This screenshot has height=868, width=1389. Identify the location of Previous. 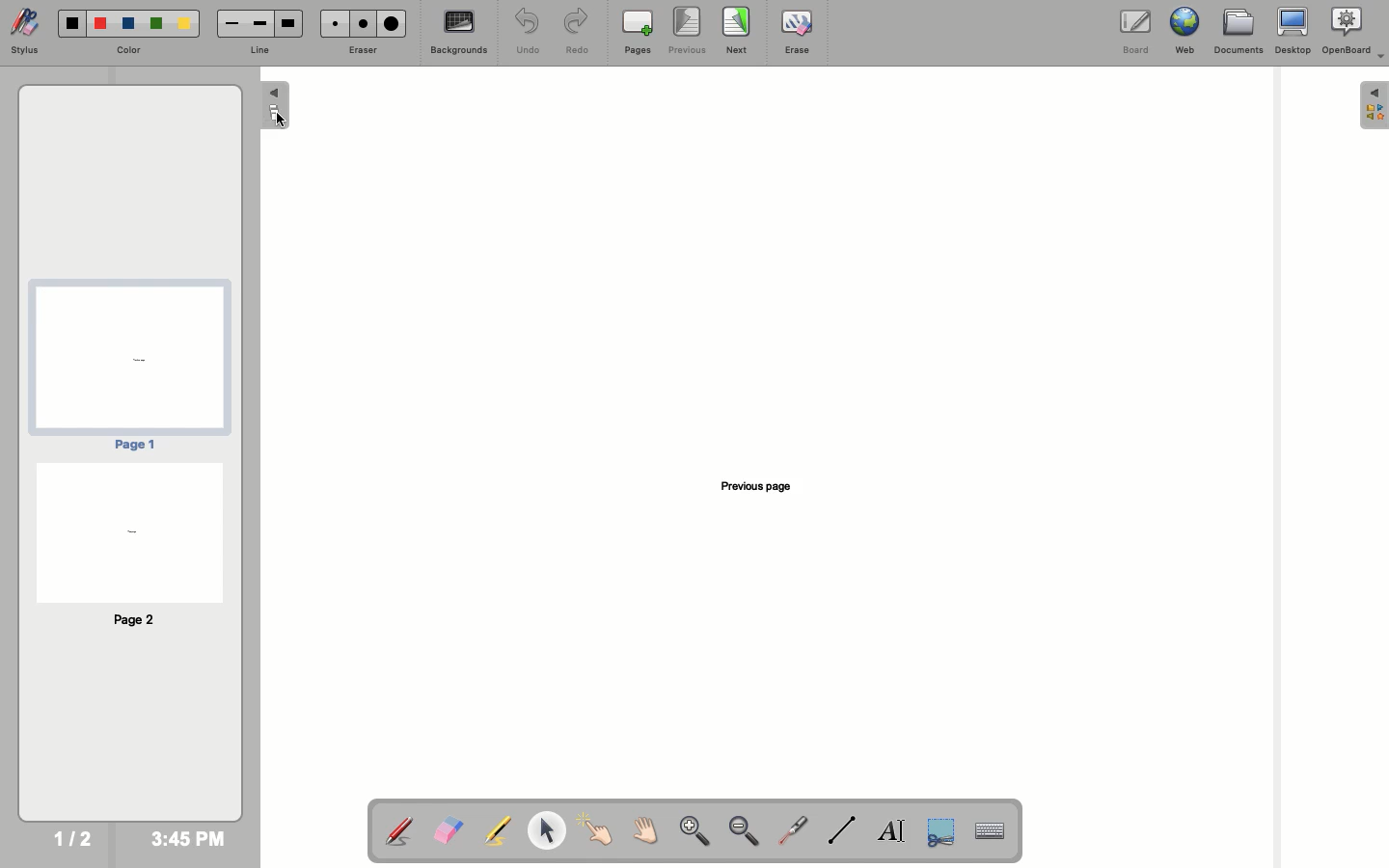
(688, 31).